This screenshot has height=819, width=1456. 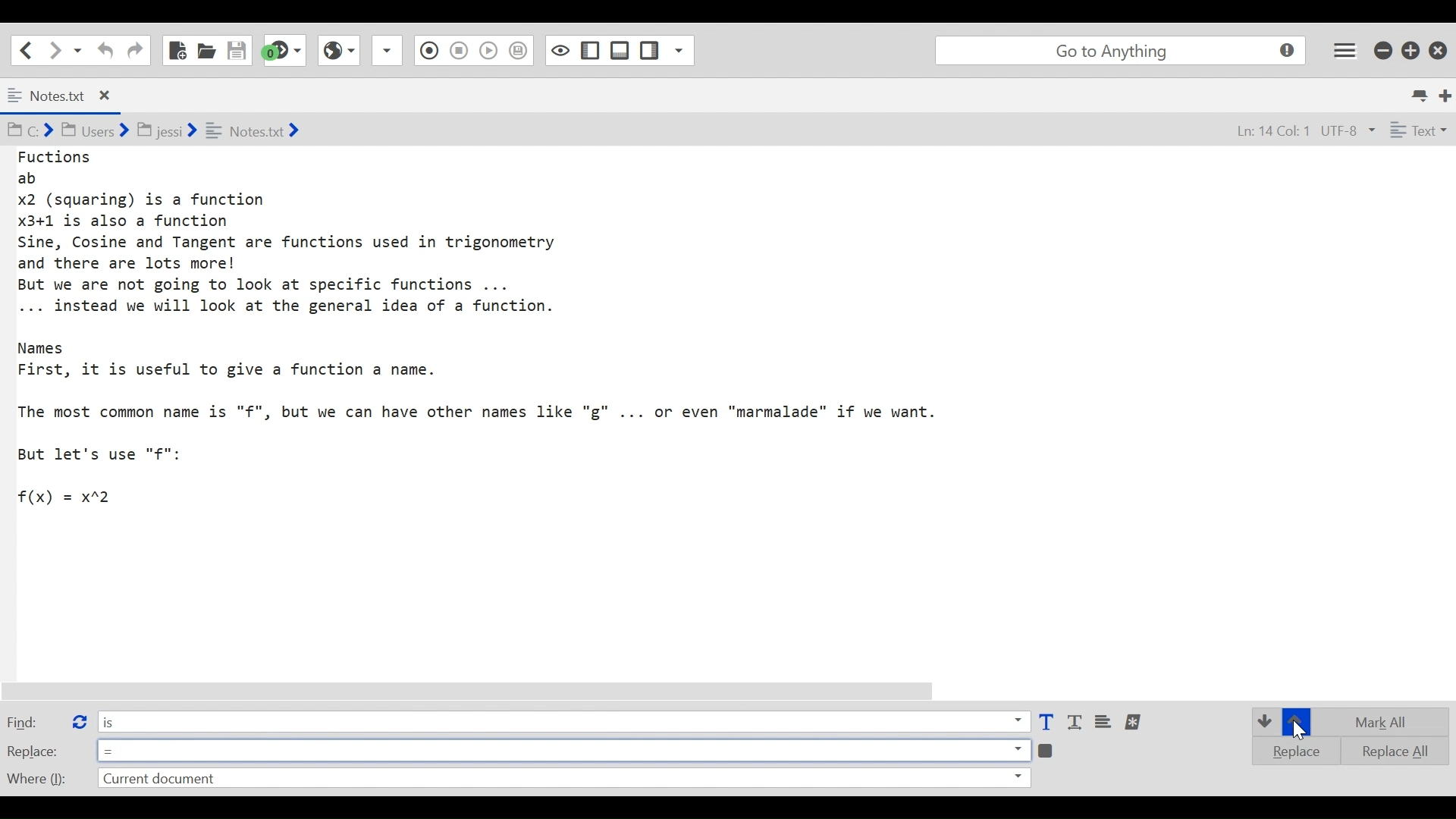 What do you see at coordinates (563, 749) in the screenshot?
I see `Replace Field` at bounding box center [563, 749].